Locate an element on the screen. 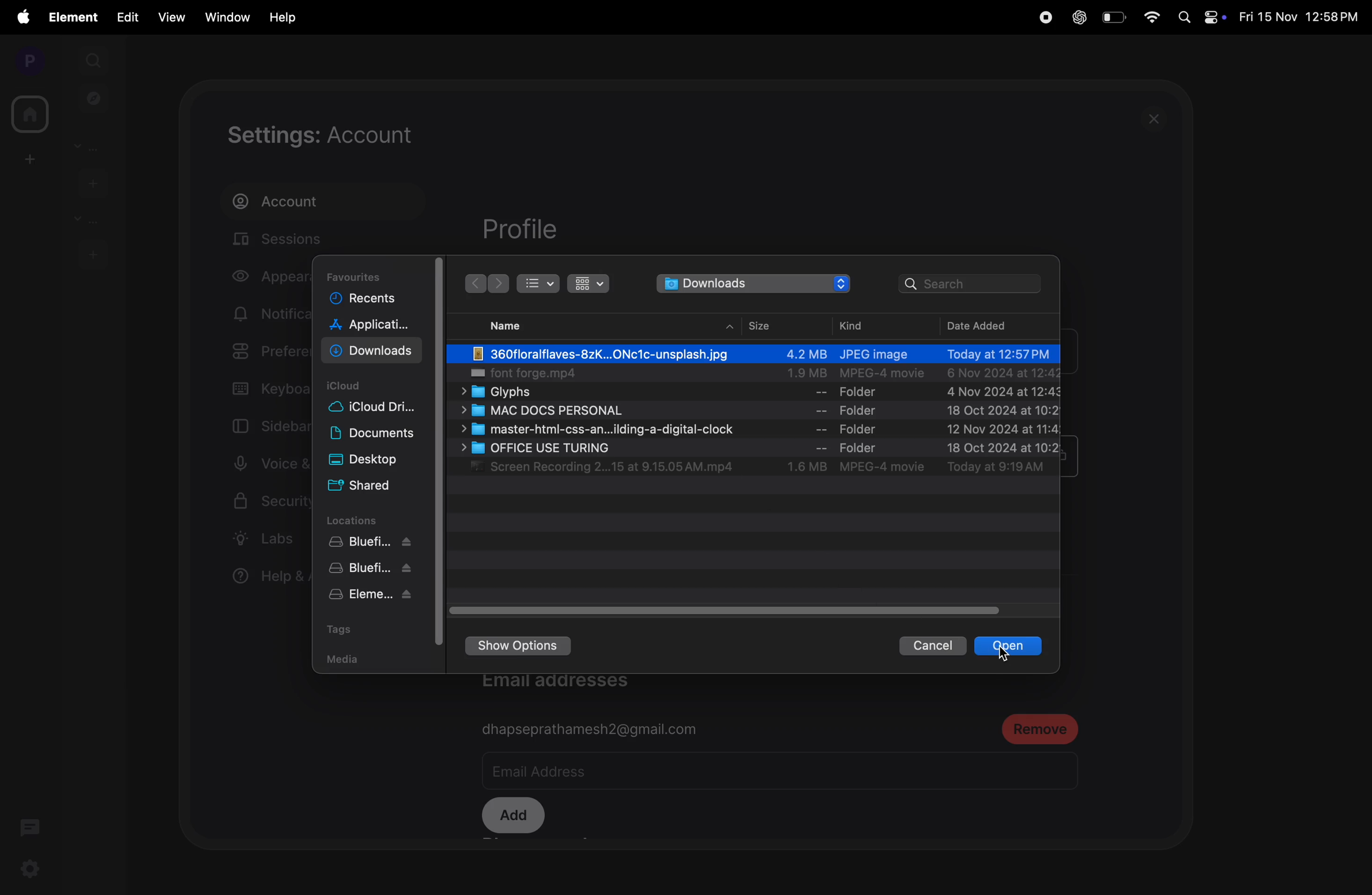 The image size is (1372, 895). elemet apk is located at coordinates (374, 596).